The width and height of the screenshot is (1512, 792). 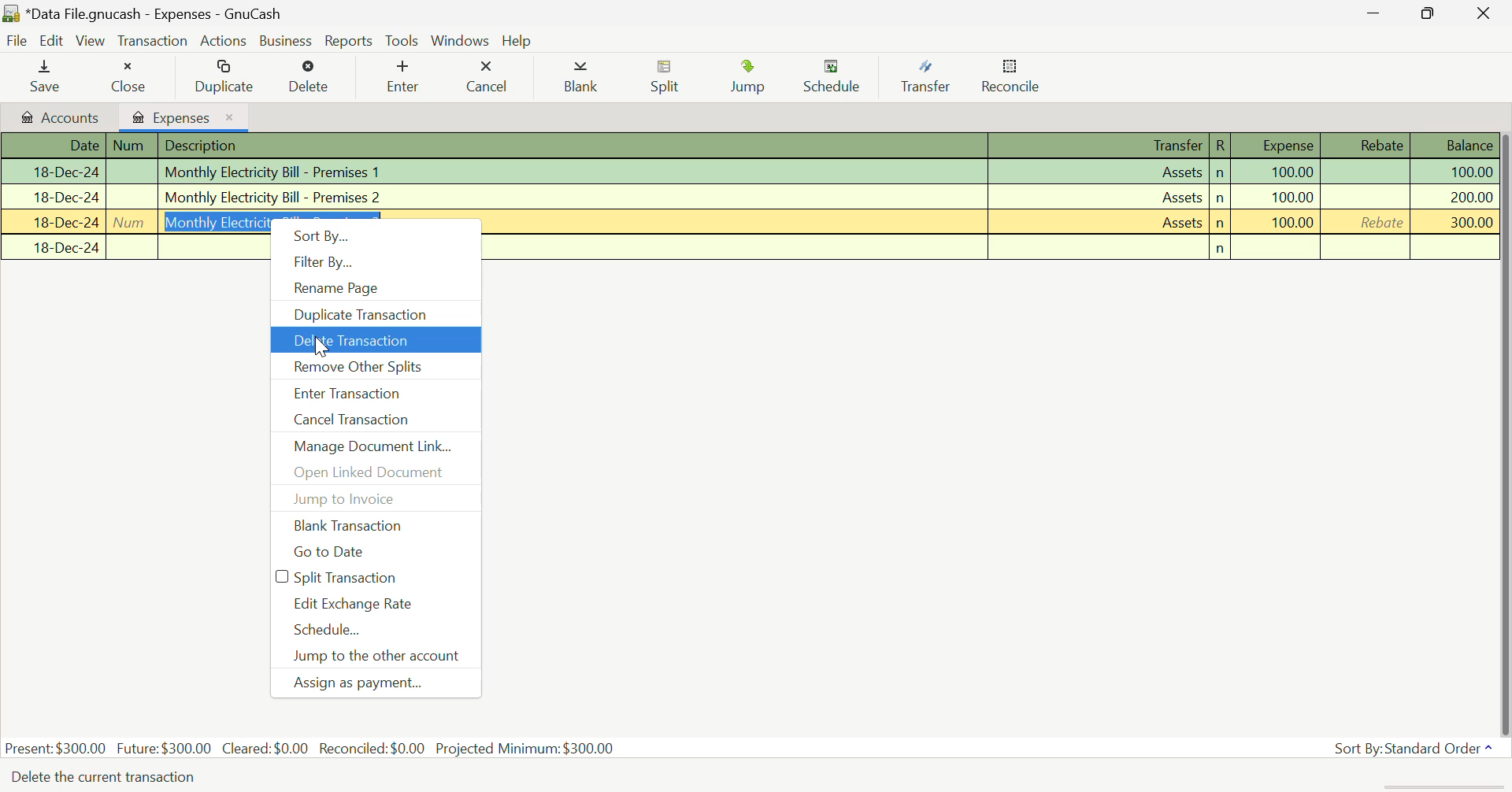 What do you see at coordinates (753, 80) in the screenshot?
I see `Jump` at bounding box center [753, 80].